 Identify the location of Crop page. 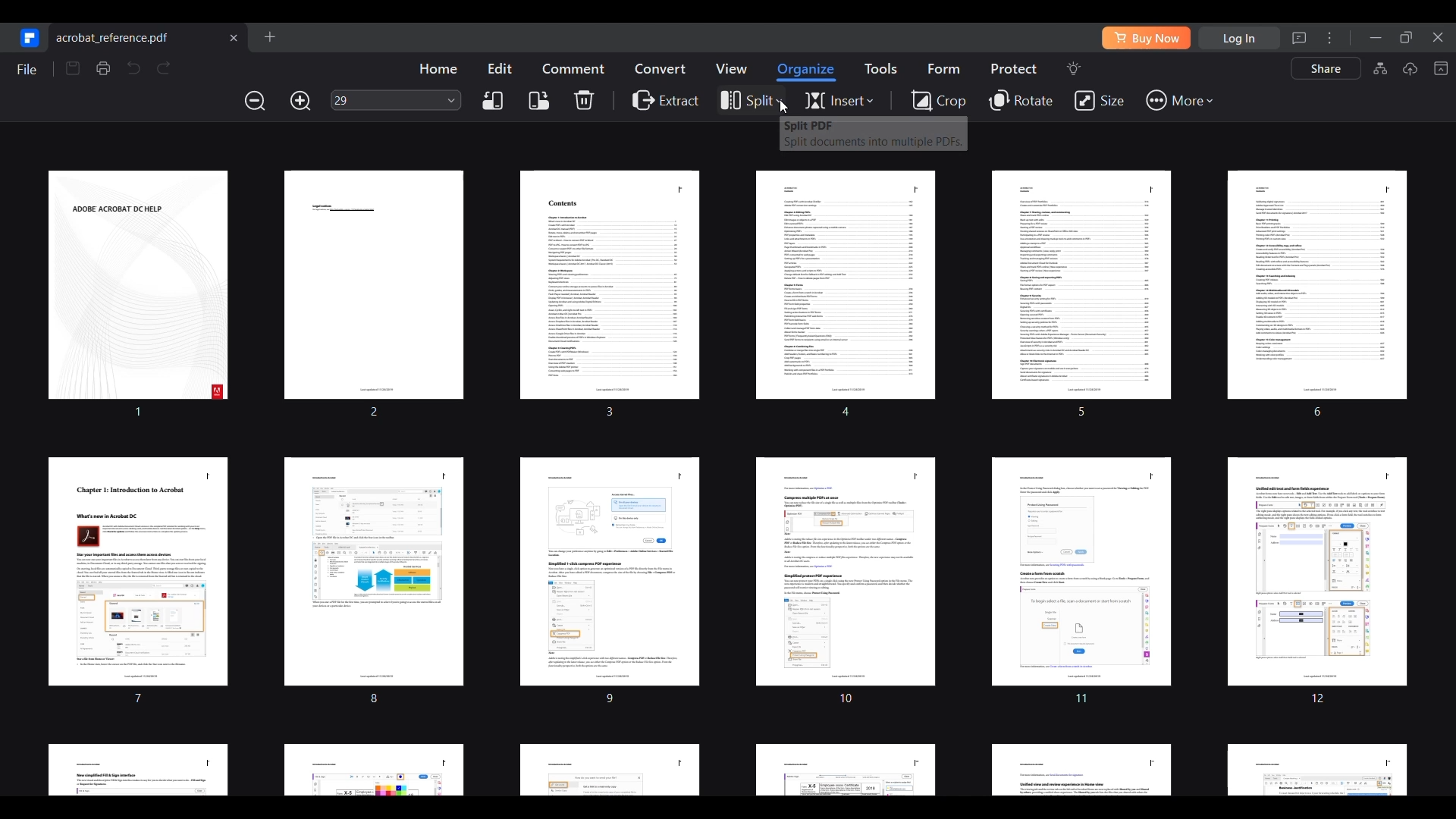
(938, 99).